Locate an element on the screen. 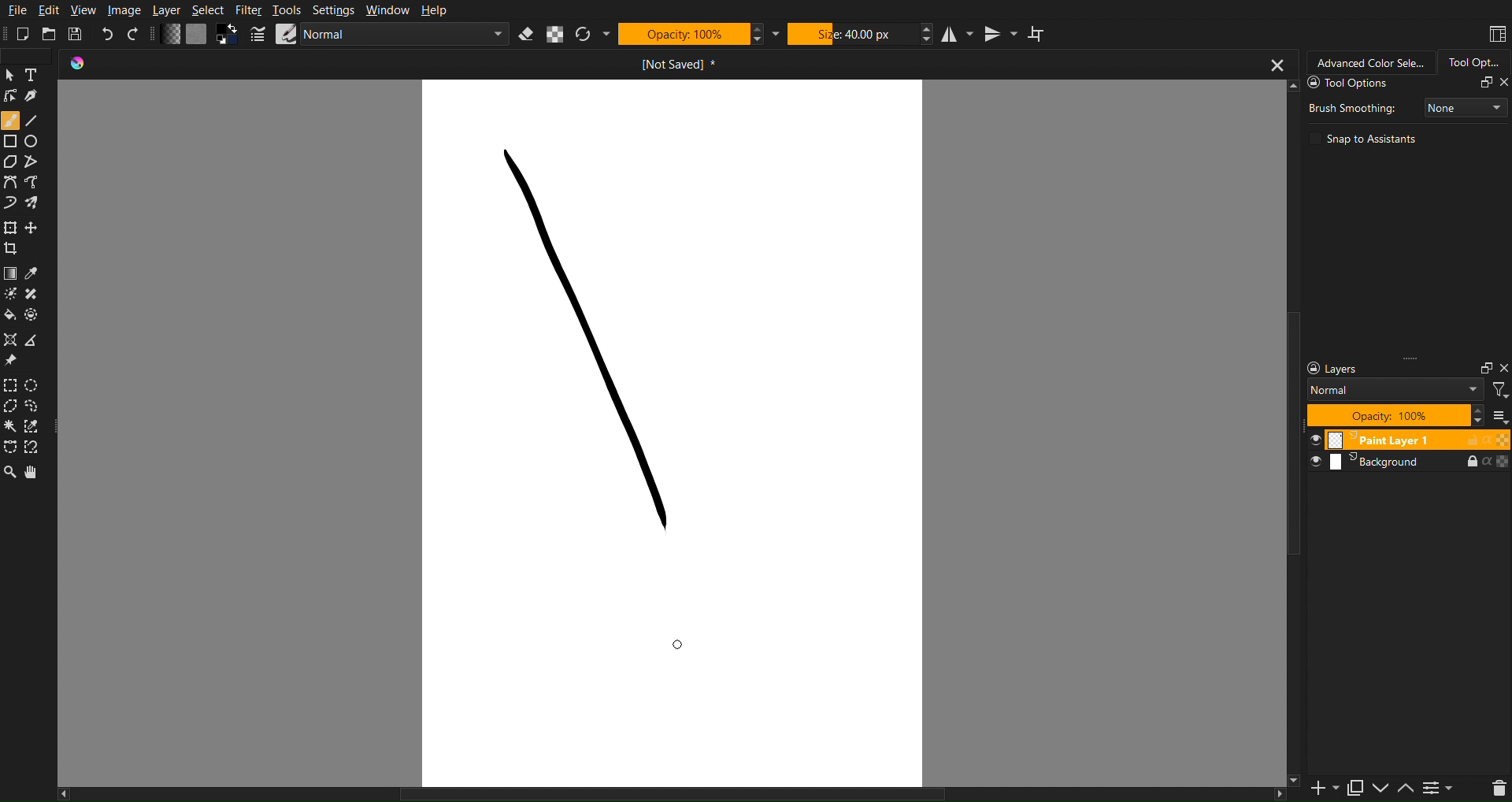 The image size is (1512, 802). Select is located at coordinates (209, 10).